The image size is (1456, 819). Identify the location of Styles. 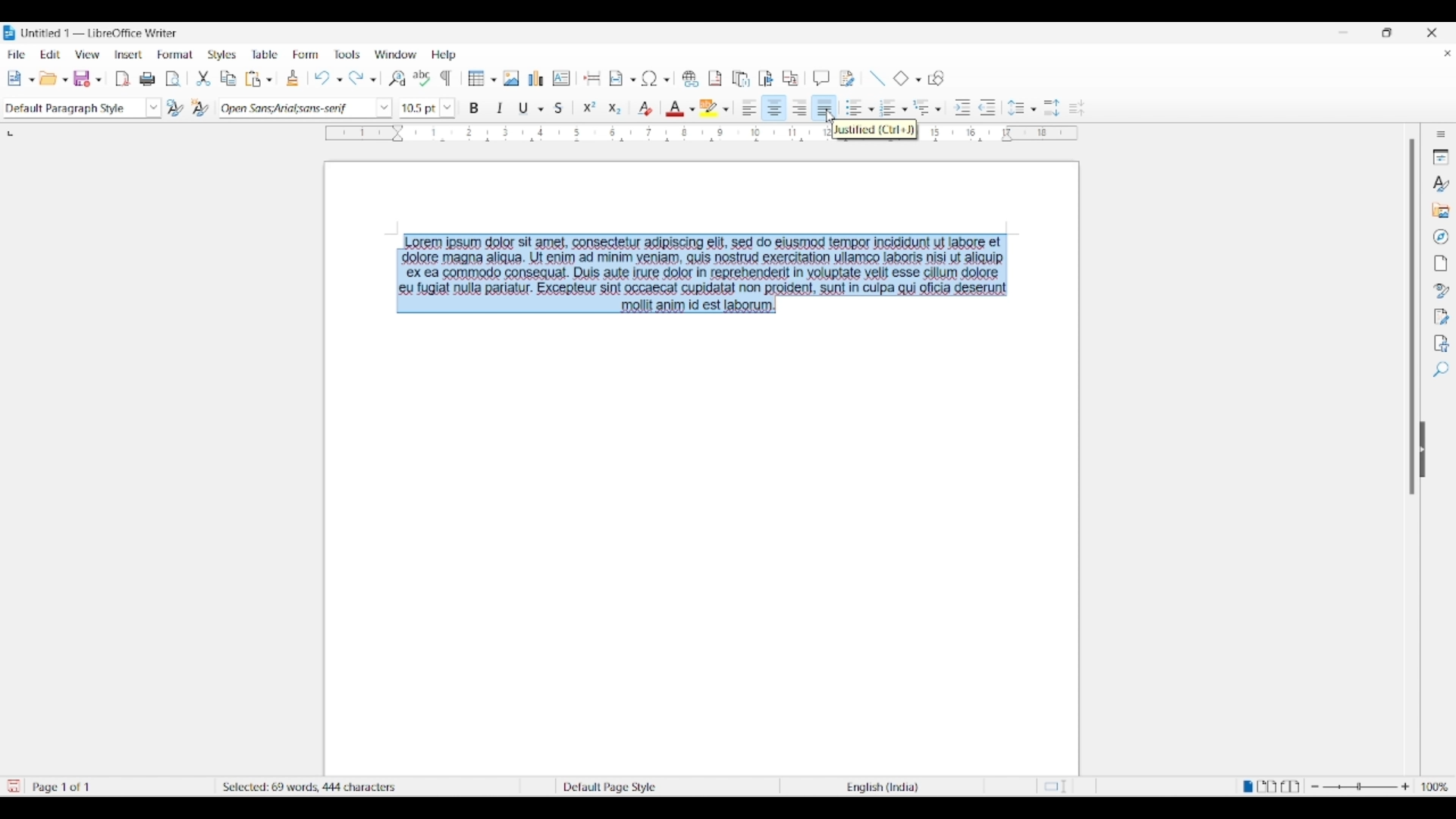
(1440, 183).